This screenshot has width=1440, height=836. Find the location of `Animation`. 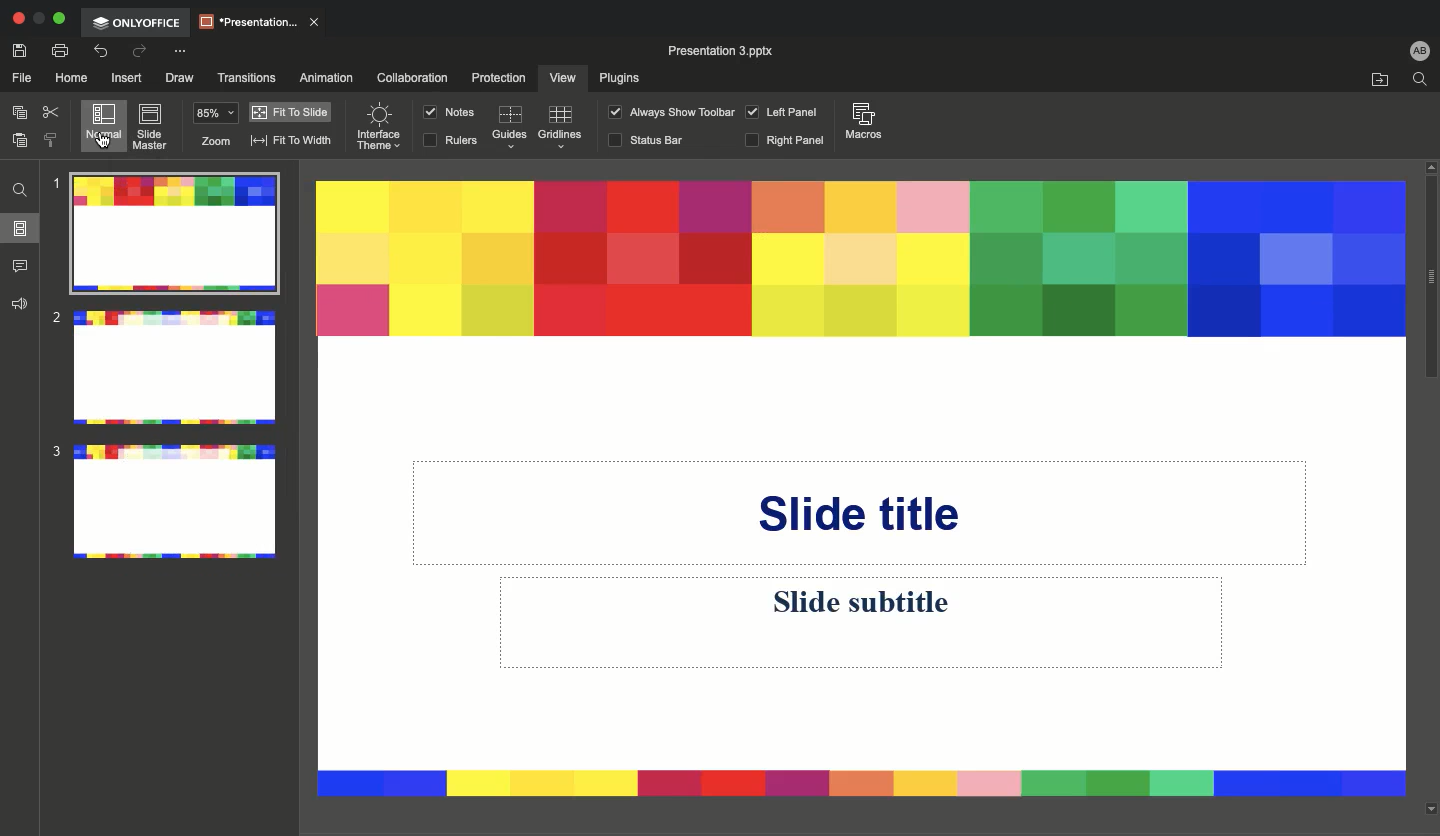

Animation is located at coordinates (331, 78).